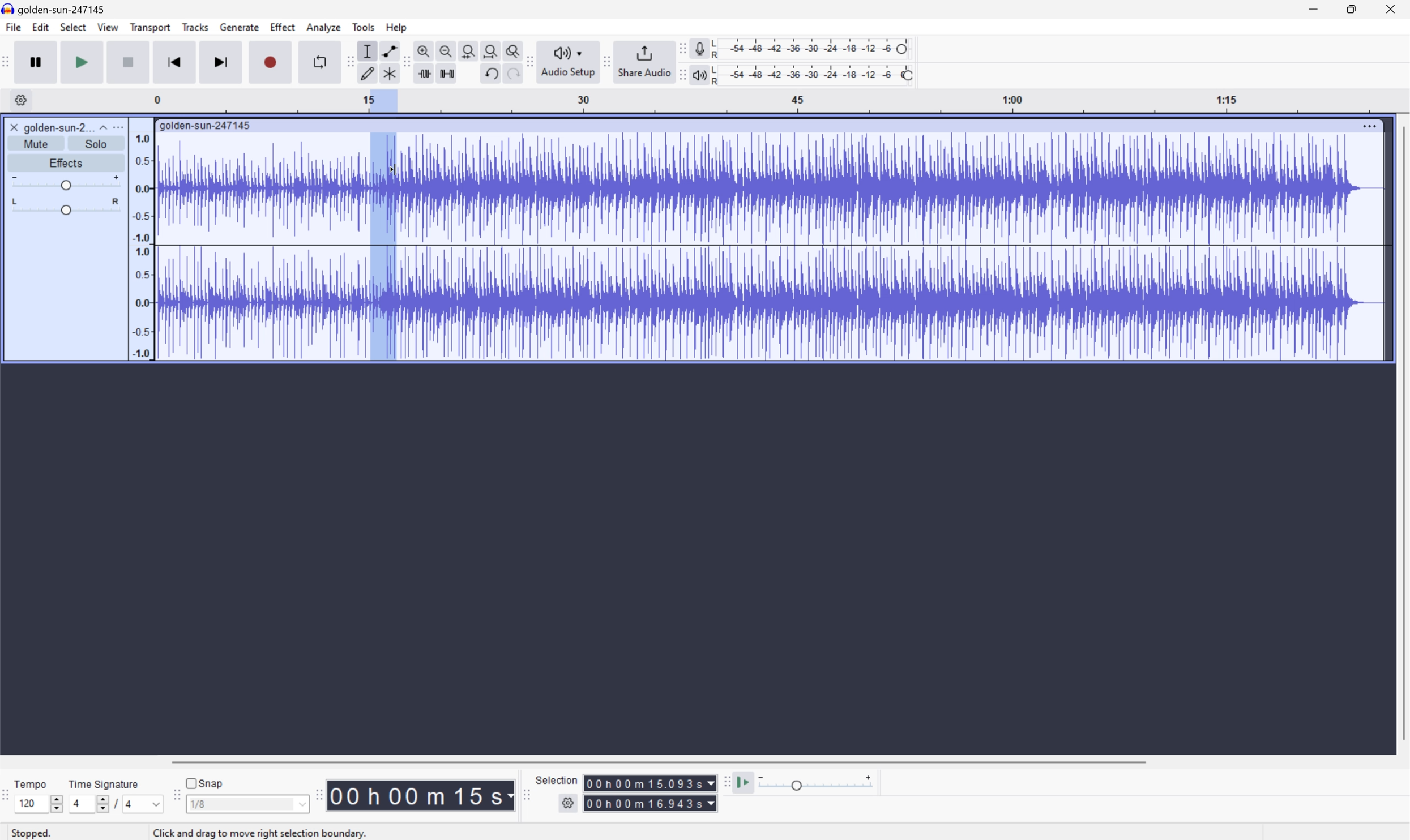  I want to click on Stopped, so click(37, 834).